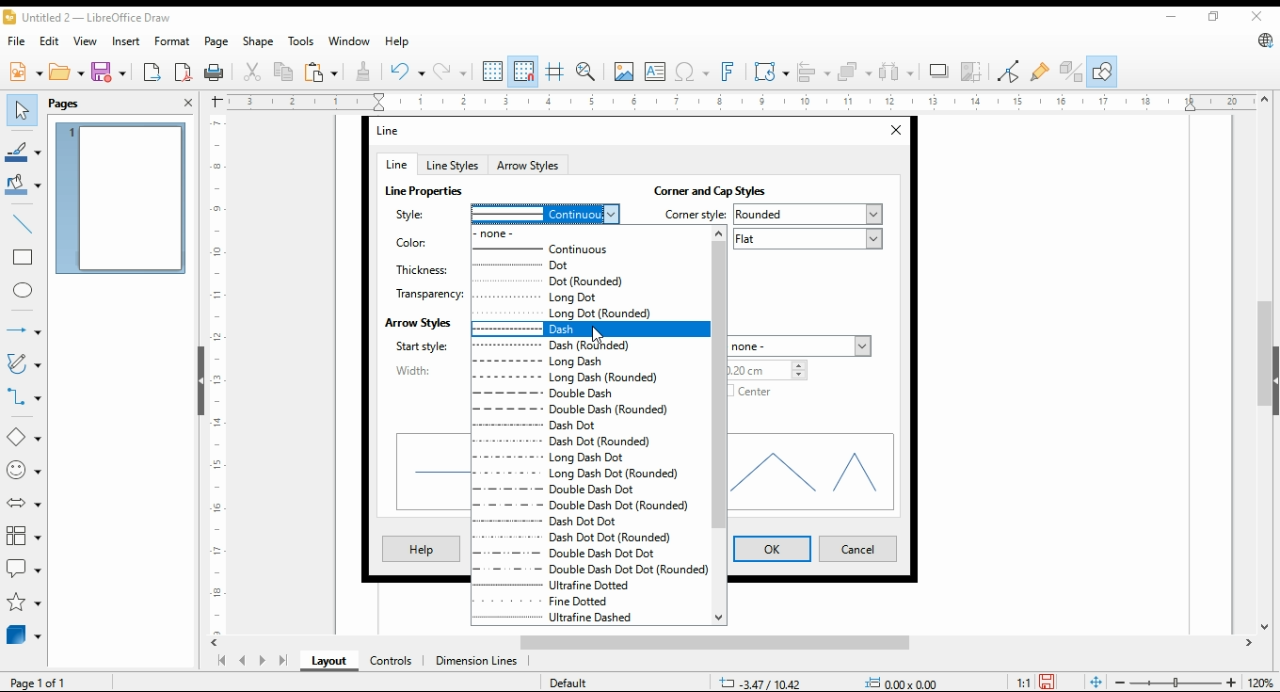  I want to click on help, so click(397, 41).